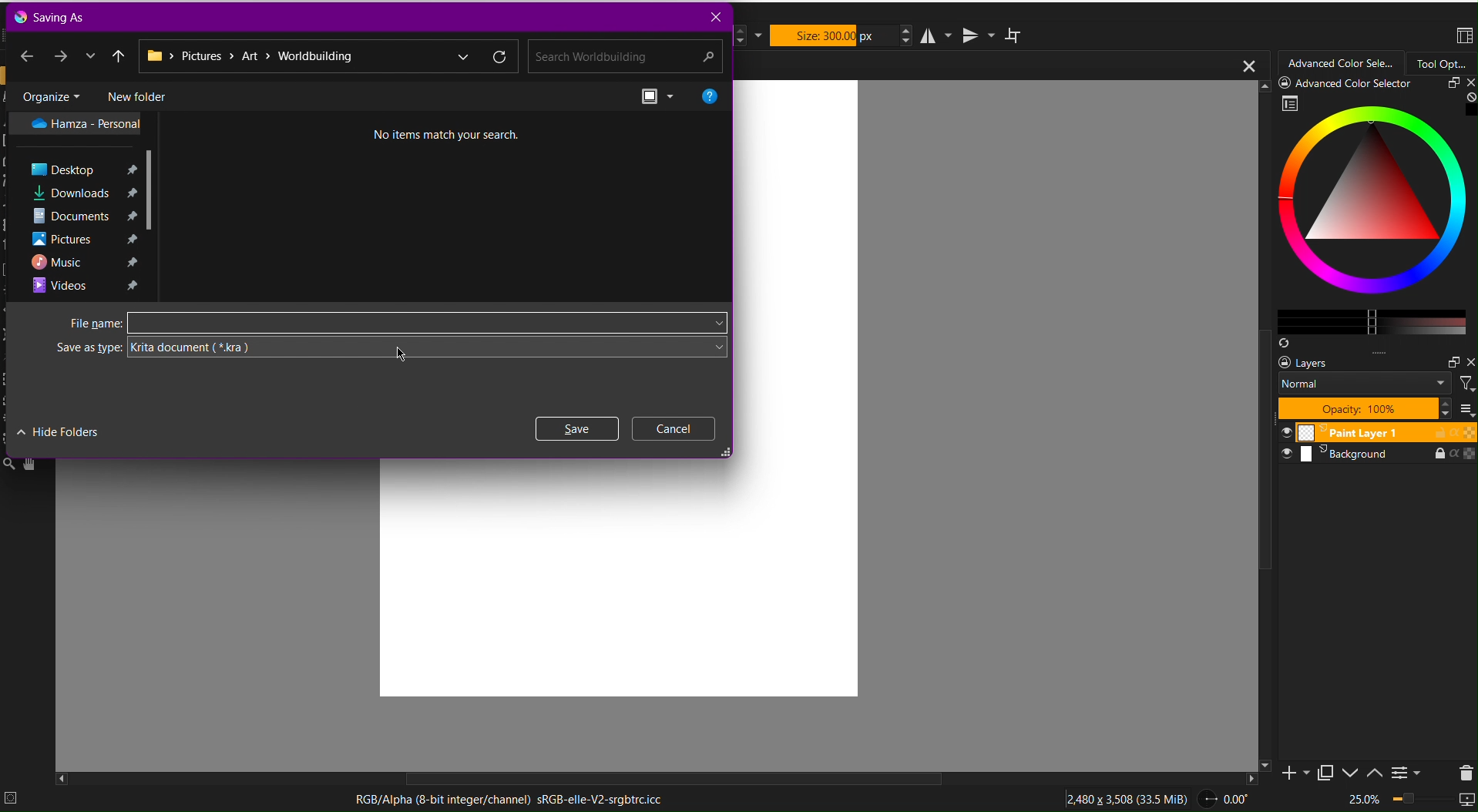 The width and height of the screenshot is (1478, 812). What do you see at coordinates (1463, 771) in the screenshot?
I see `Delete` at bounding box center [1463, 771].